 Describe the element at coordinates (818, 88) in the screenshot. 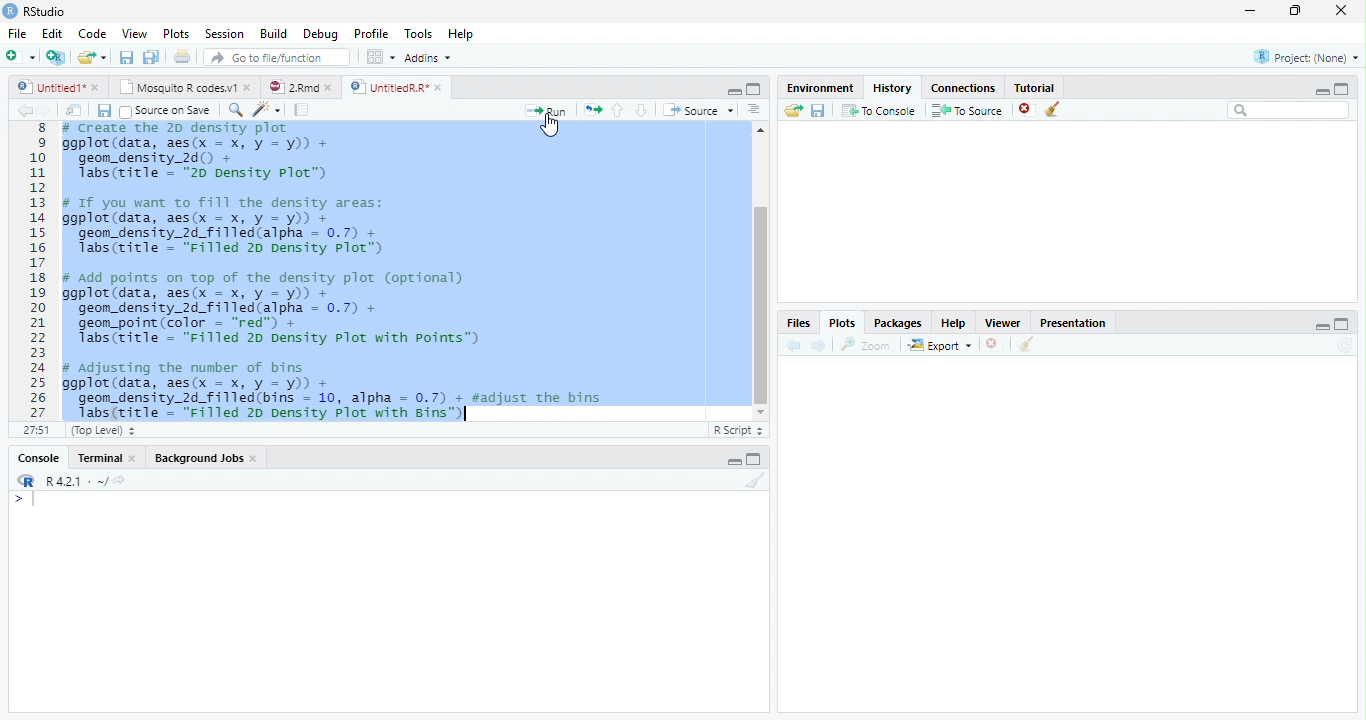

I see `Environment` at that location.